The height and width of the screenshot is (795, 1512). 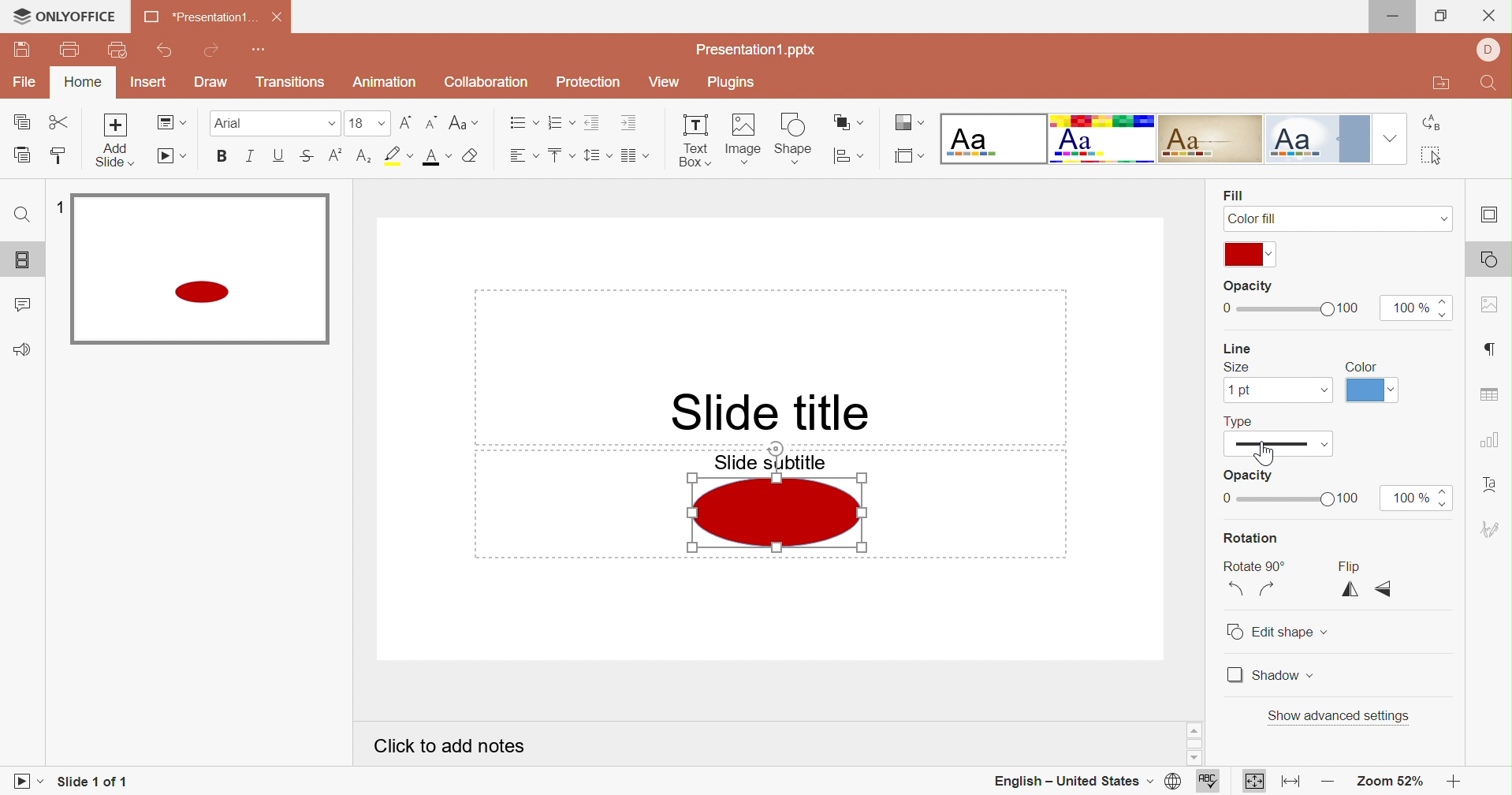 What do you see at coordinates (1374, 389) in the screenshot?
I see `Theme colors` at bounding box center [1374, 389].